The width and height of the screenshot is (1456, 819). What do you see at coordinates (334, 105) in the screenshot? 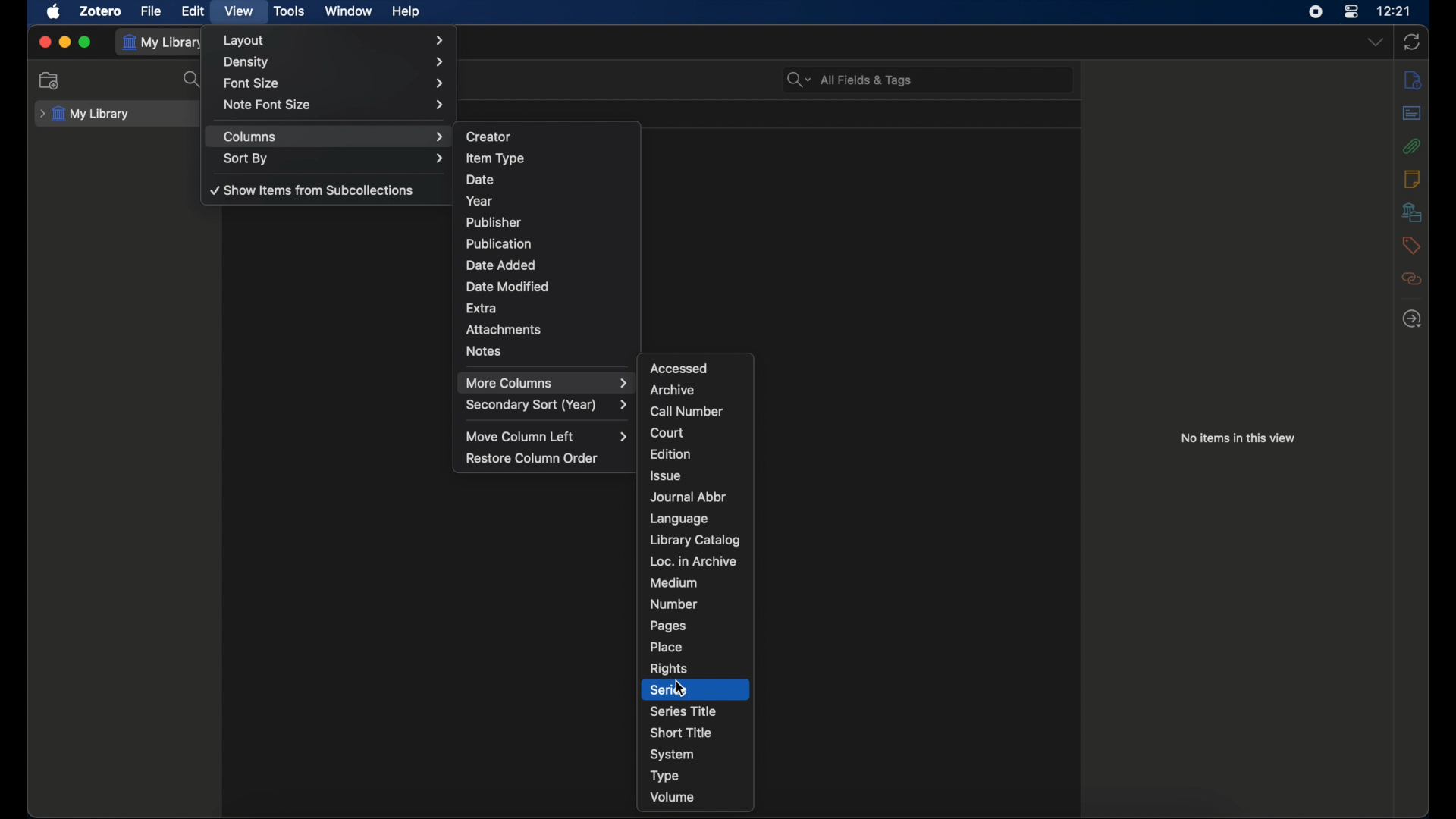
I see `note font size` at bounding box center [334, 105].